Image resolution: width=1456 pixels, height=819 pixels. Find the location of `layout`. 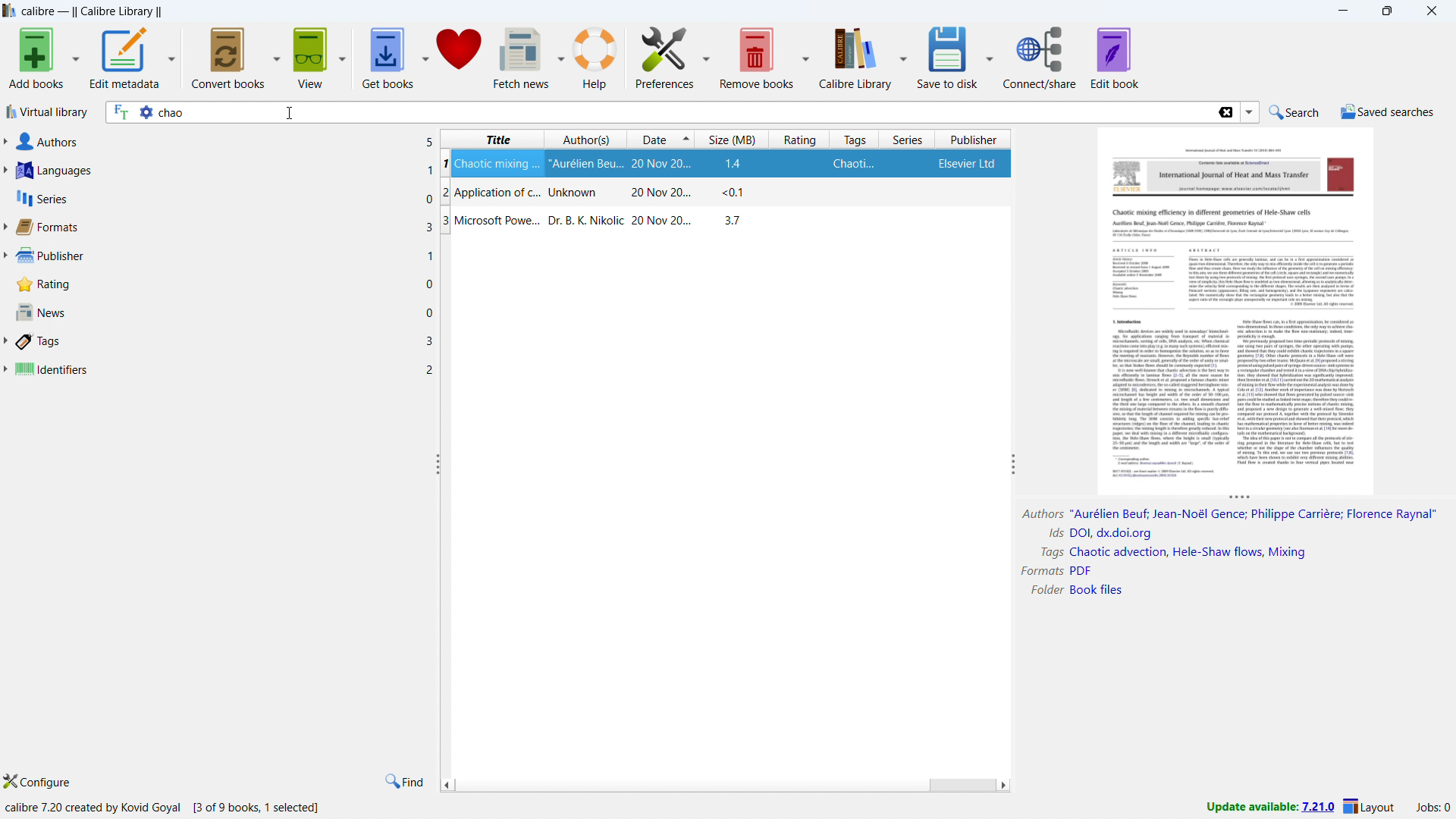

layout is located at coordinates (1371, 807).